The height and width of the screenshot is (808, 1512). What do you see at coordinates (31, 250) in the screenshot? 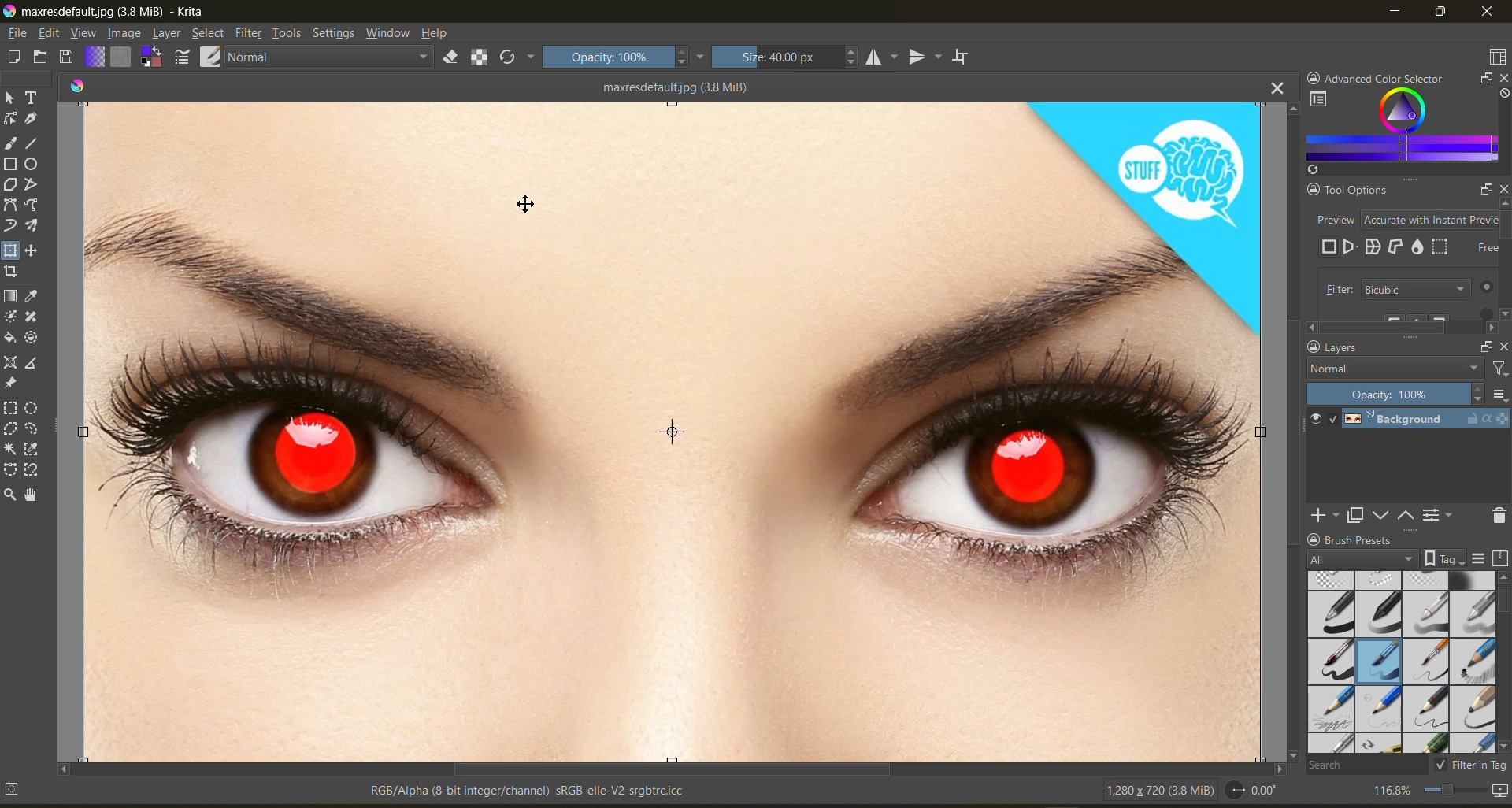
I see `tool` at bounding box center [31, 250].